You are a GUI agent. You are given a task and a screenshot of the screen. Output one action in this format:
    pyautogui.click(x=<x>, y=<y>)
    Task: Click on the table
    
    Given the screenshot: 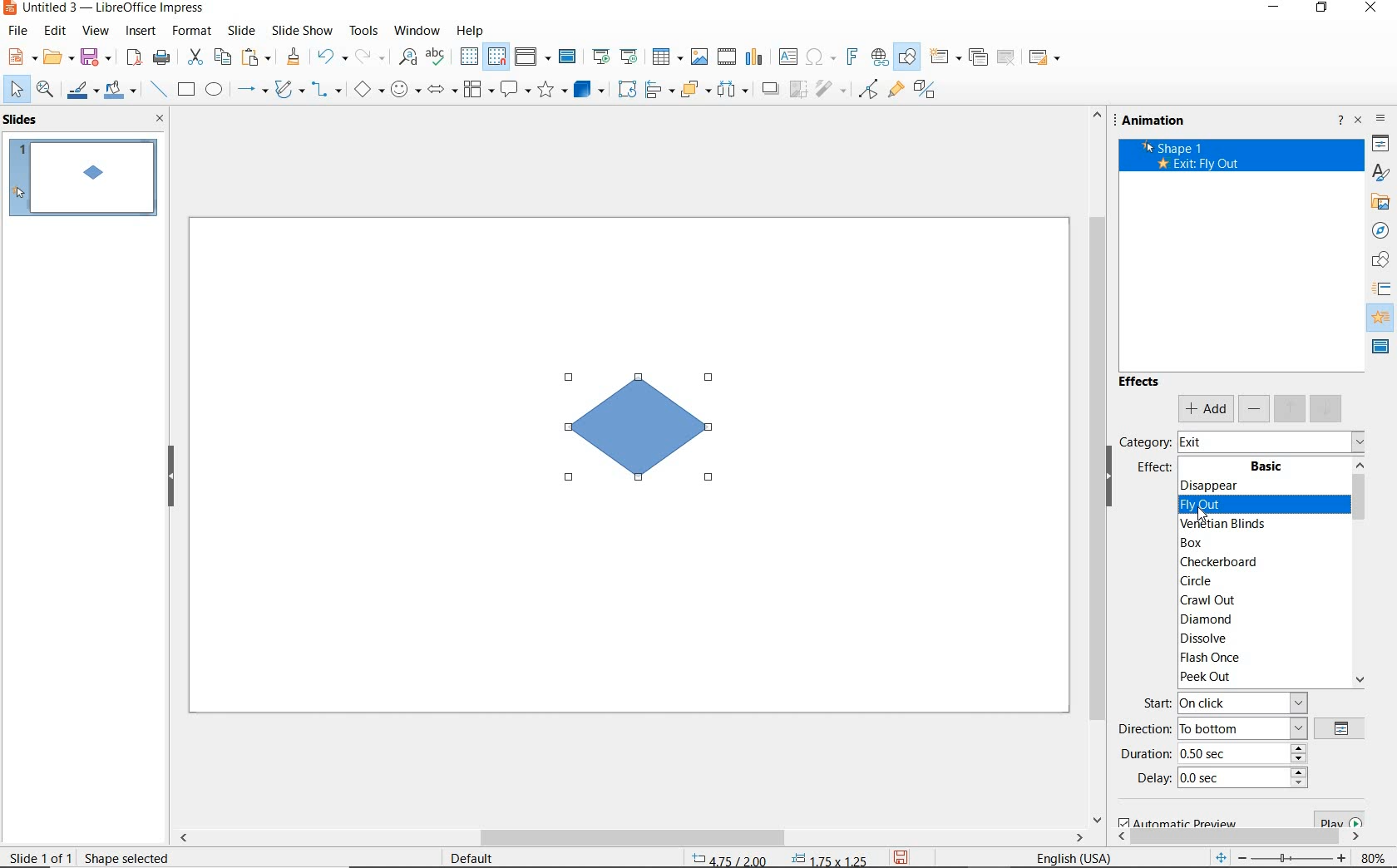 What is the action you would take?
    pyautogui.click(x=669, y=57)
    